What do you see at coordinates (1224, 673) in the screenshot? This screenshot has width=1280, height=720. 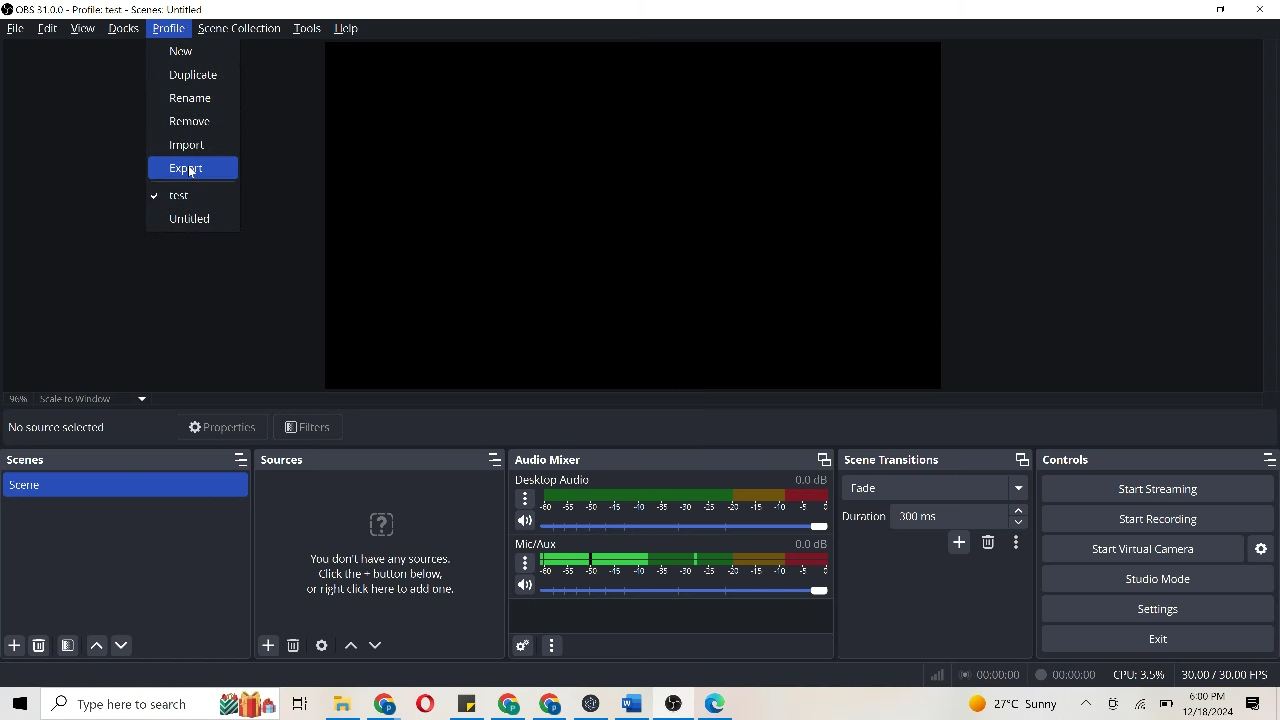 I see `30.00/30.00 FPS` at bounding box center [1224, 673].